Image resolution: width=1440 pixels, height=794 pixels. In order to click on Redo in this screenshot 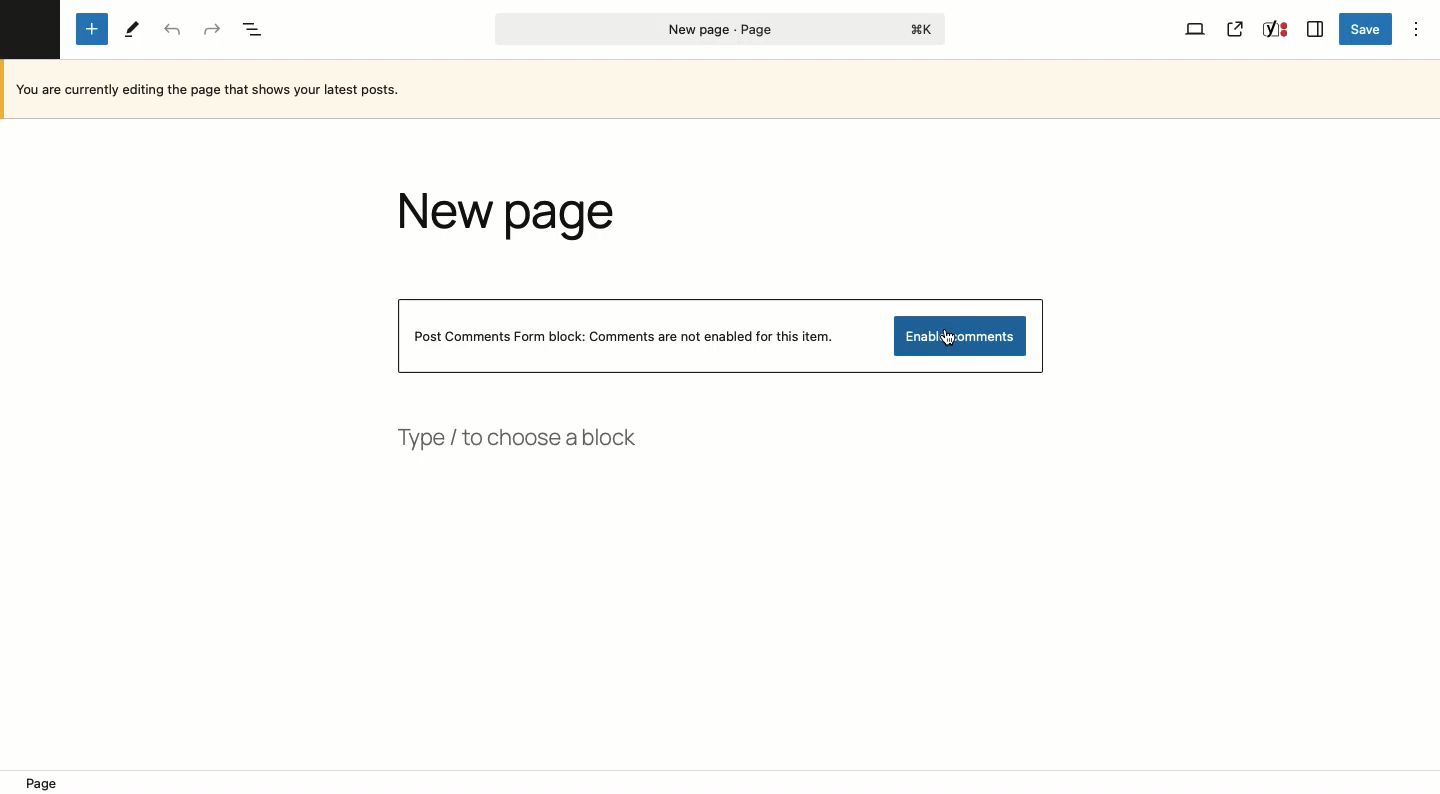, I will do `click(209, 30)`.